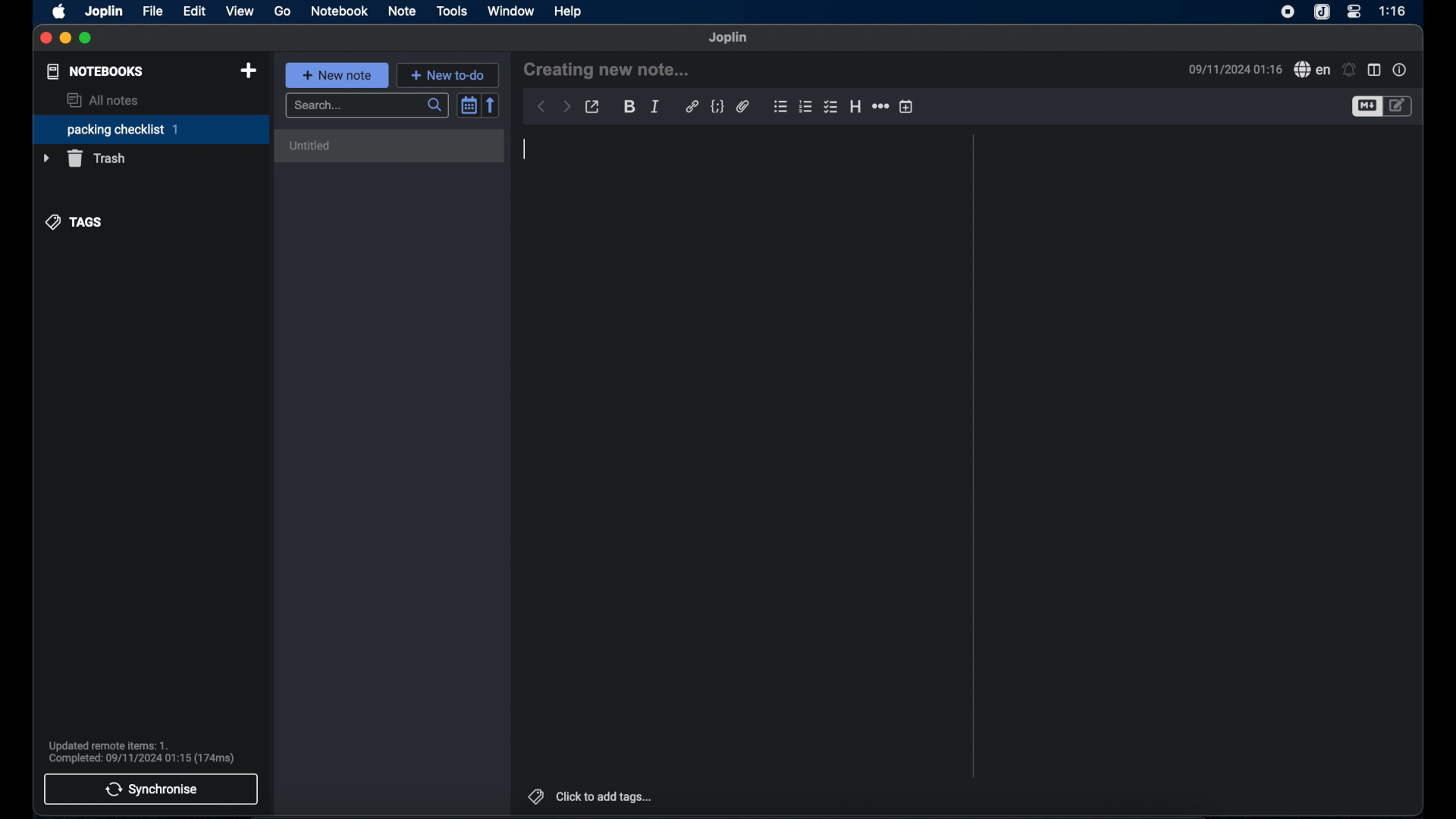 The width and height of the screenshot is (1456, 819). What do you see at coordinates (1366, 107) in the screenshot?
I see `toggle editor` at bounding box center [1366, 107].